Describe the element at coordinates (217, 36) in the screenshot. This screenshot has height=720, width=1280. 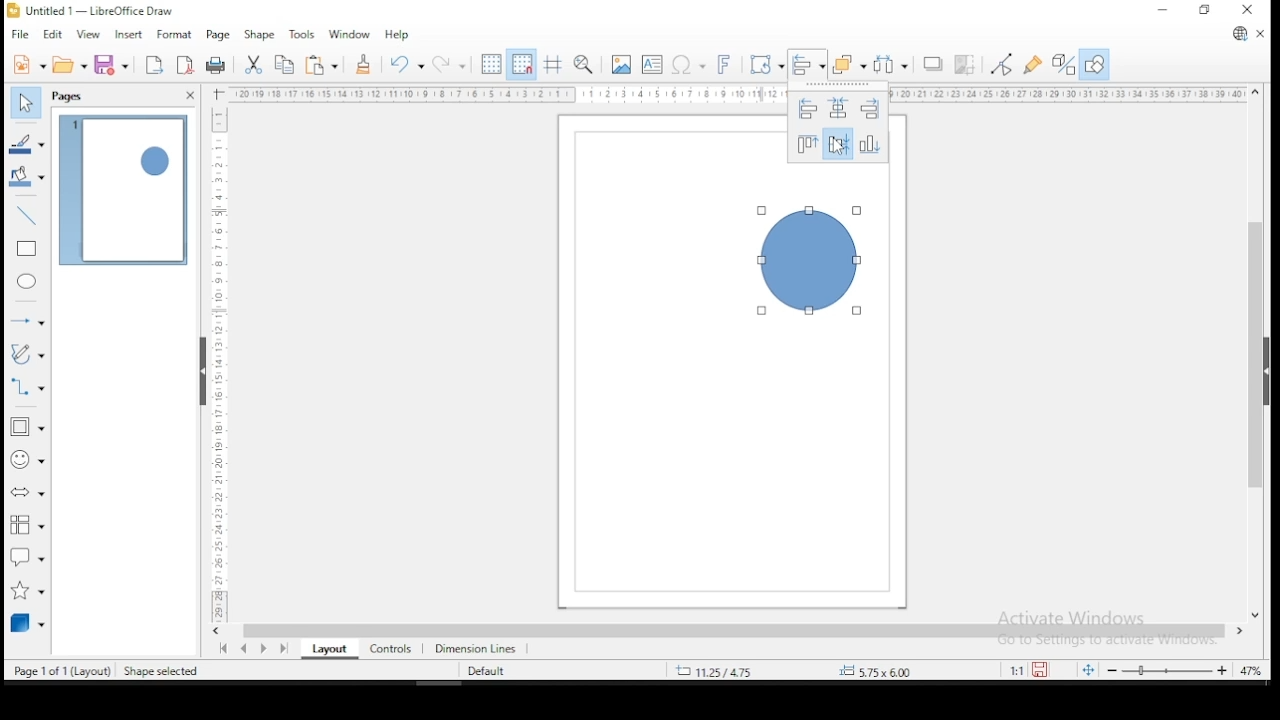
I see `page` at that location.